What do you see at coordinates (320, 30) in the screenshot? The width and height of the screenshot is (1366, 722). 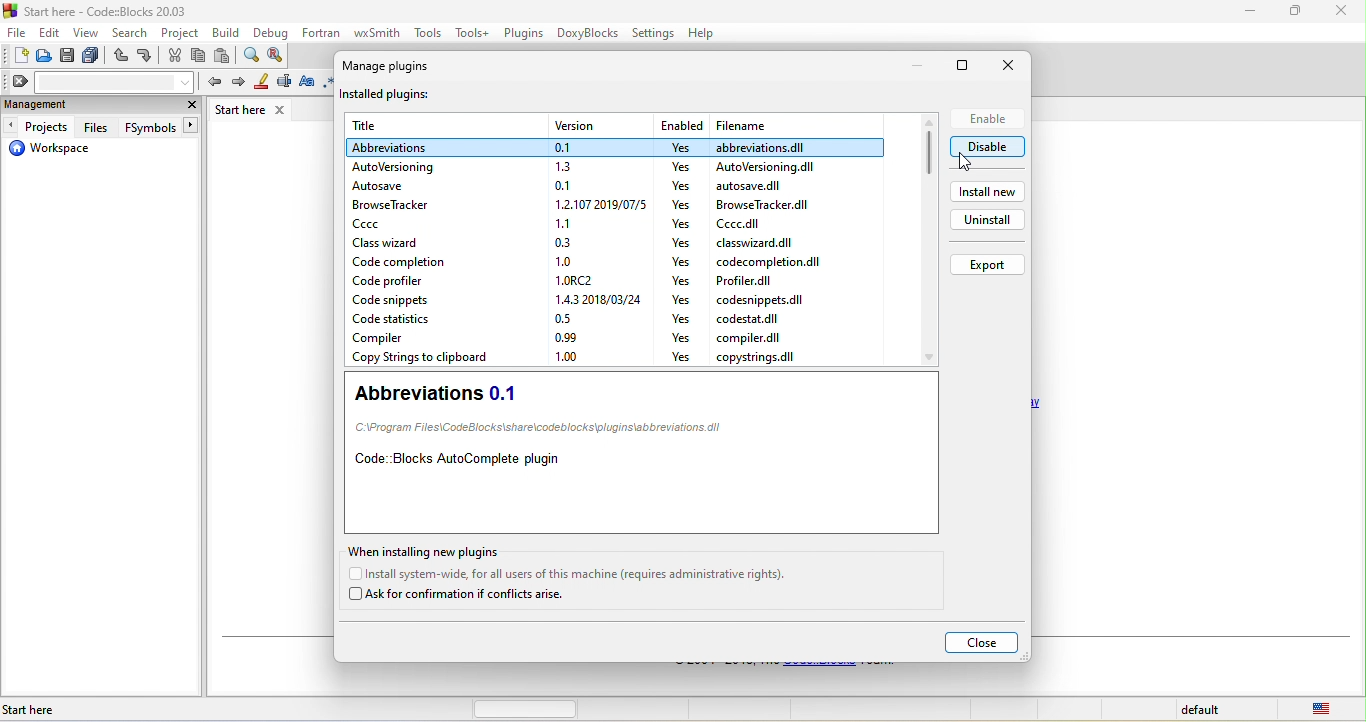 I see `fortran` at bounding box center [320, 30].